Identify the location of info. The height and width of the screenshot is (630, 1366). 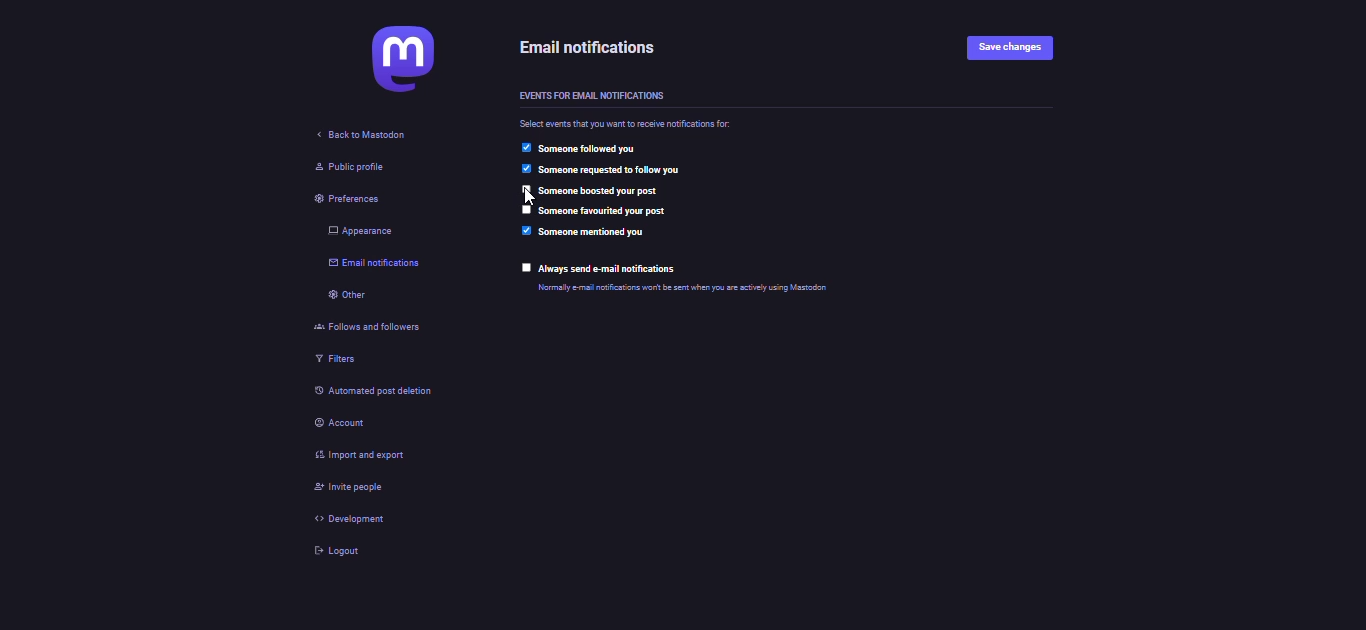
(717, 289).